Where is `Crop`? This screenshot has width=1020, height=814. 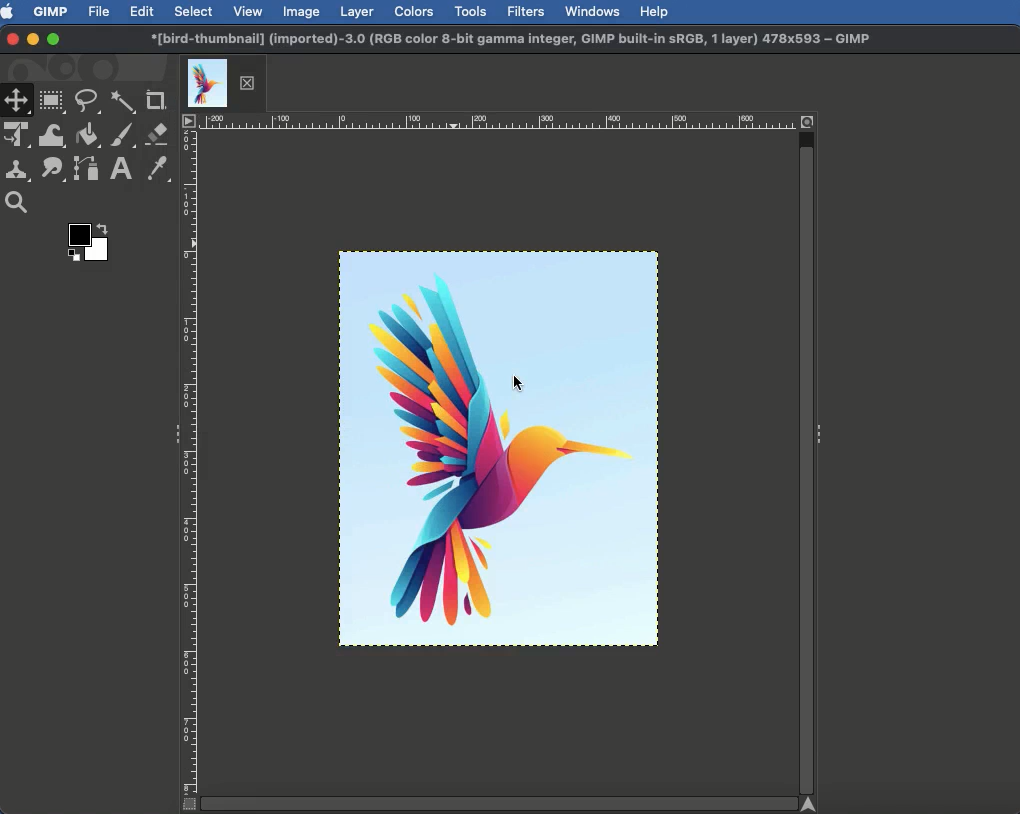
Crop is located at coordinates (156, 100).